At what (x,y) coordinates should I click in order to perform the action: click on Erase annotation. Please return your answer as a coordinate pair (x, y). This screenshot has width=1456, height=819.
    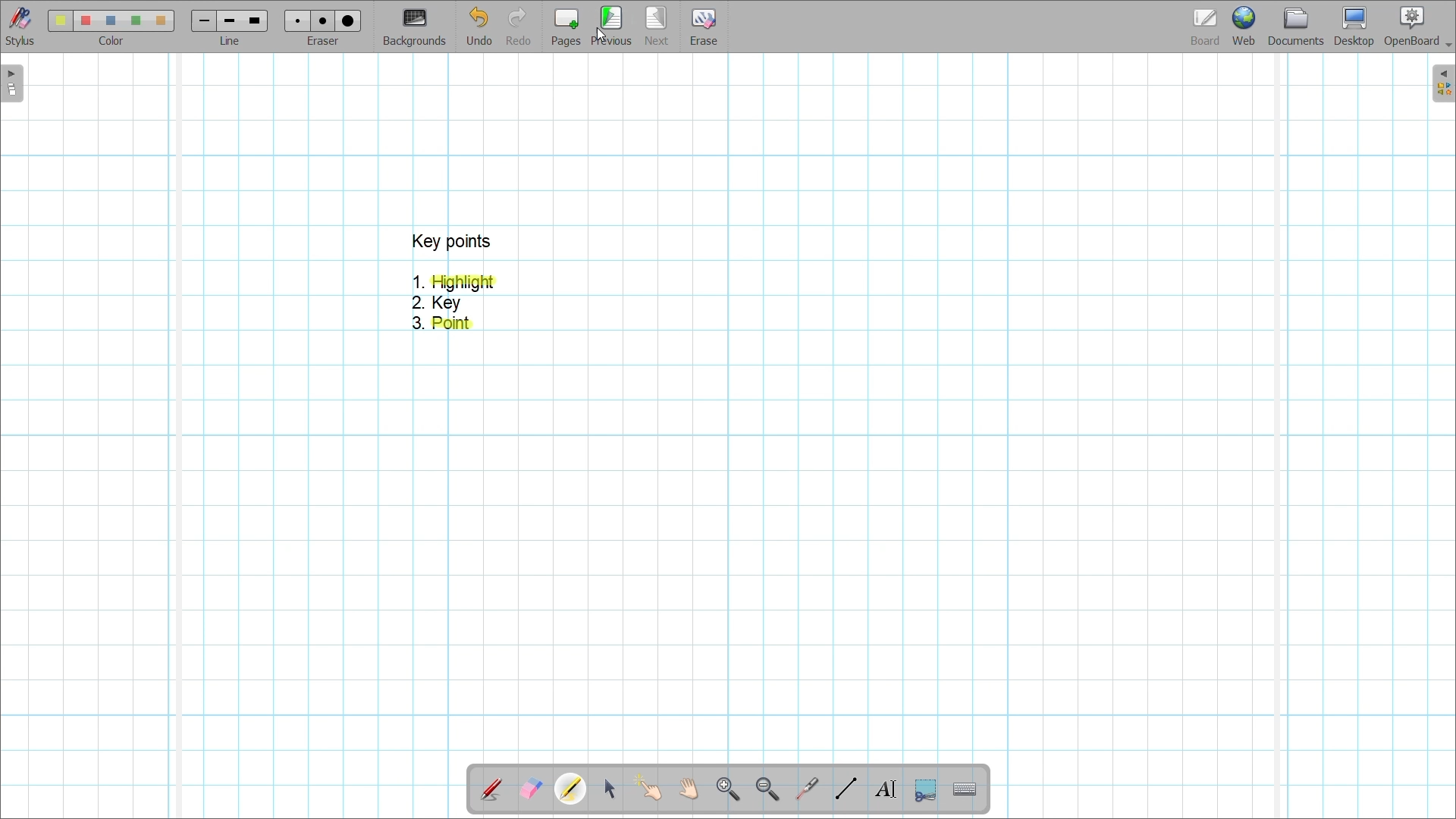
    Looking at the image, I should click on (532, 789).